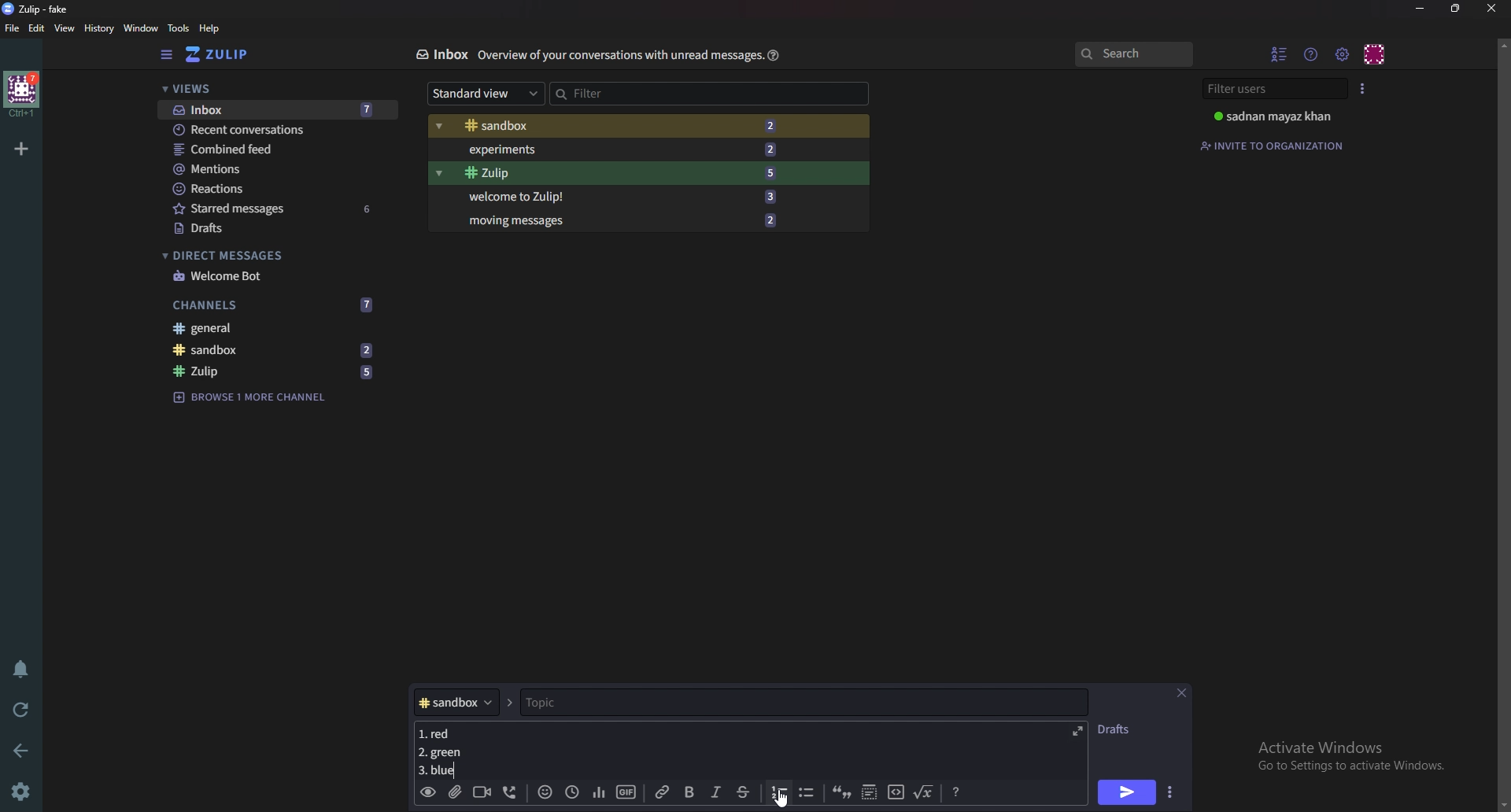 This screenshot has width=1511, height=812. What do you see at coordinates (272, 228) in the screenshot?
I see `Drafts` at bounding box center [272, 228].